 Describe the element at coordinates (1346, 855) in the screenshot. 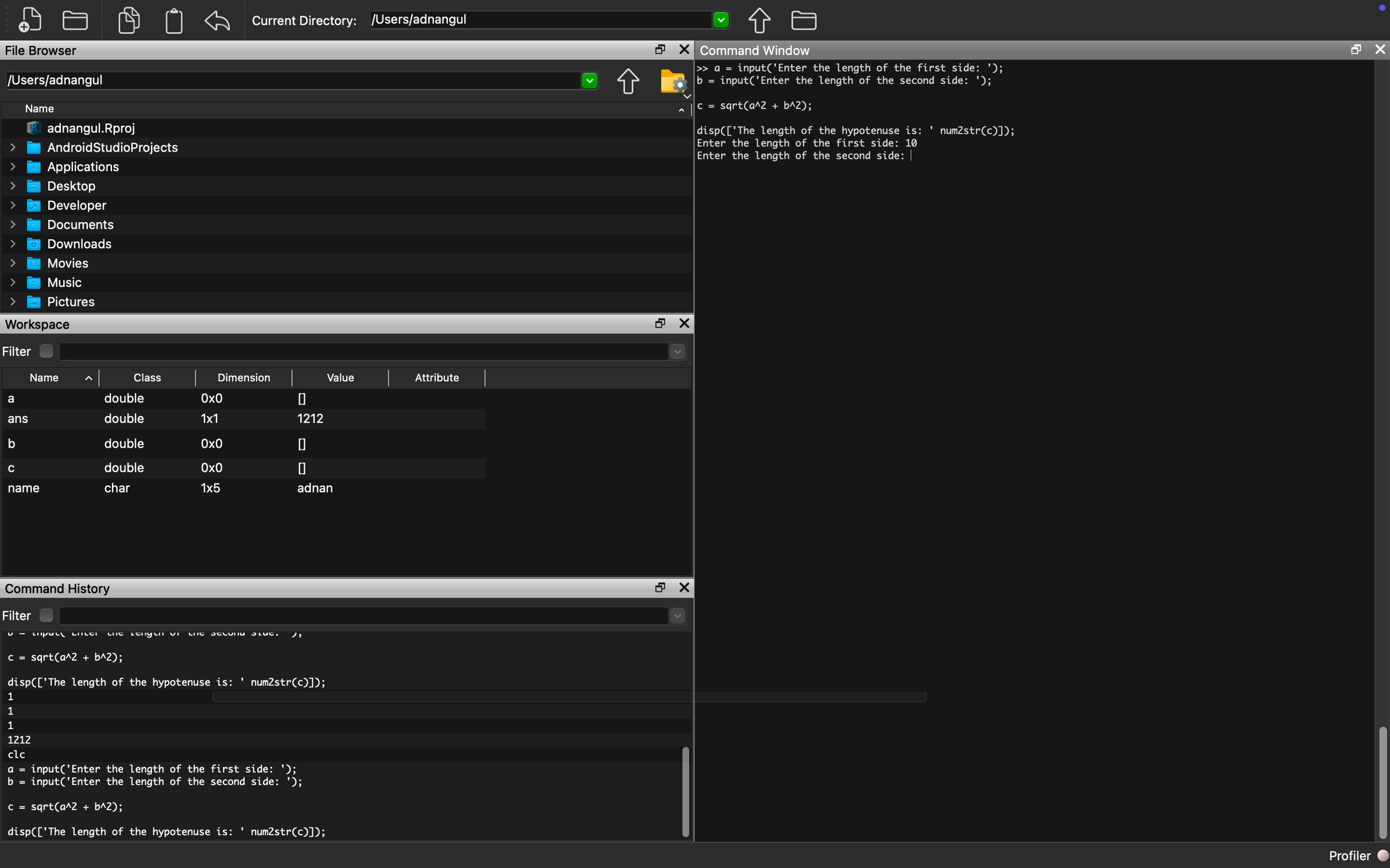

I see `profiler` at that location.